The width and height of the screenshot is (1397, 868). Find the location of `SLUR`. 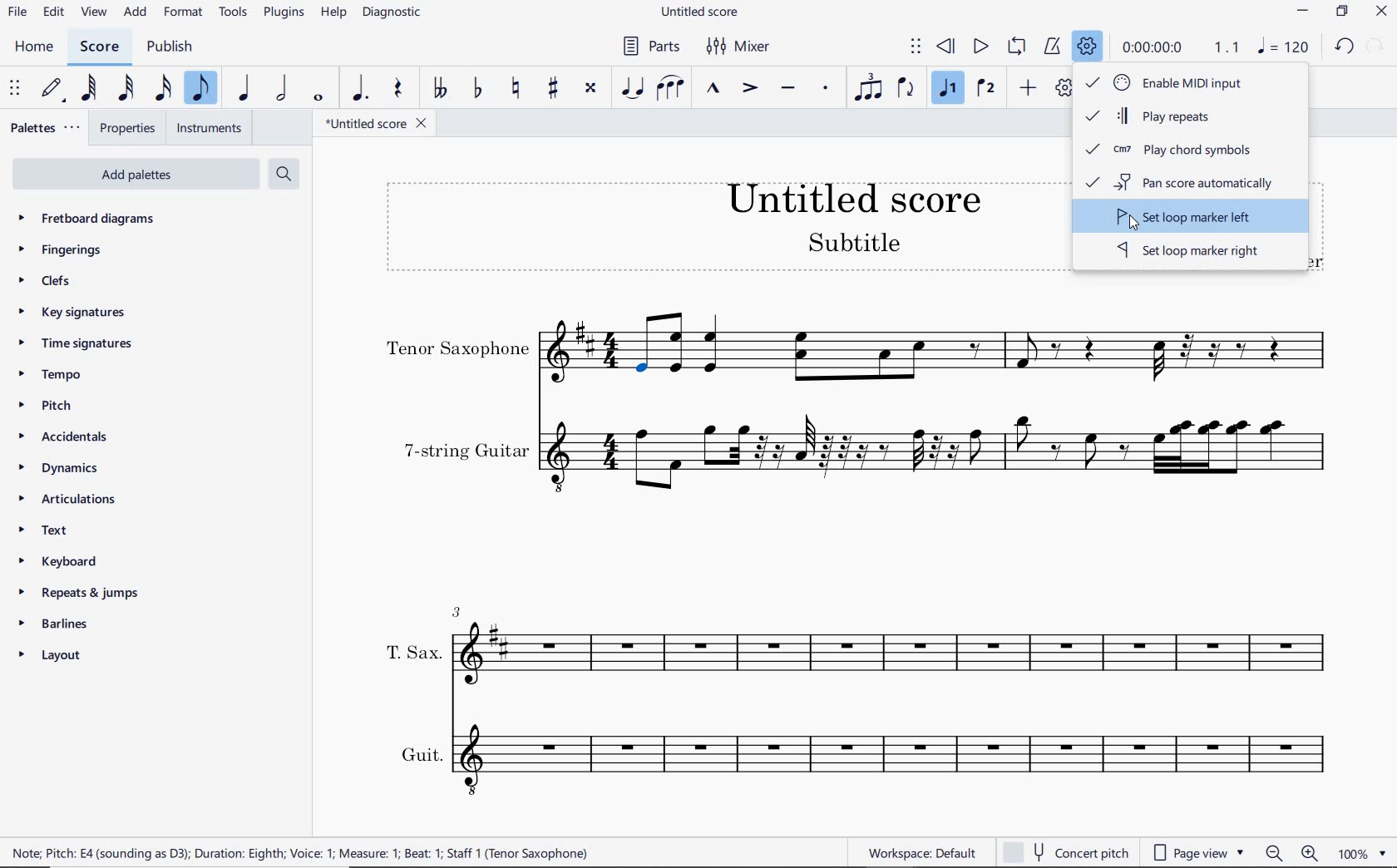

SLUR is located at coordinates (669, 89).